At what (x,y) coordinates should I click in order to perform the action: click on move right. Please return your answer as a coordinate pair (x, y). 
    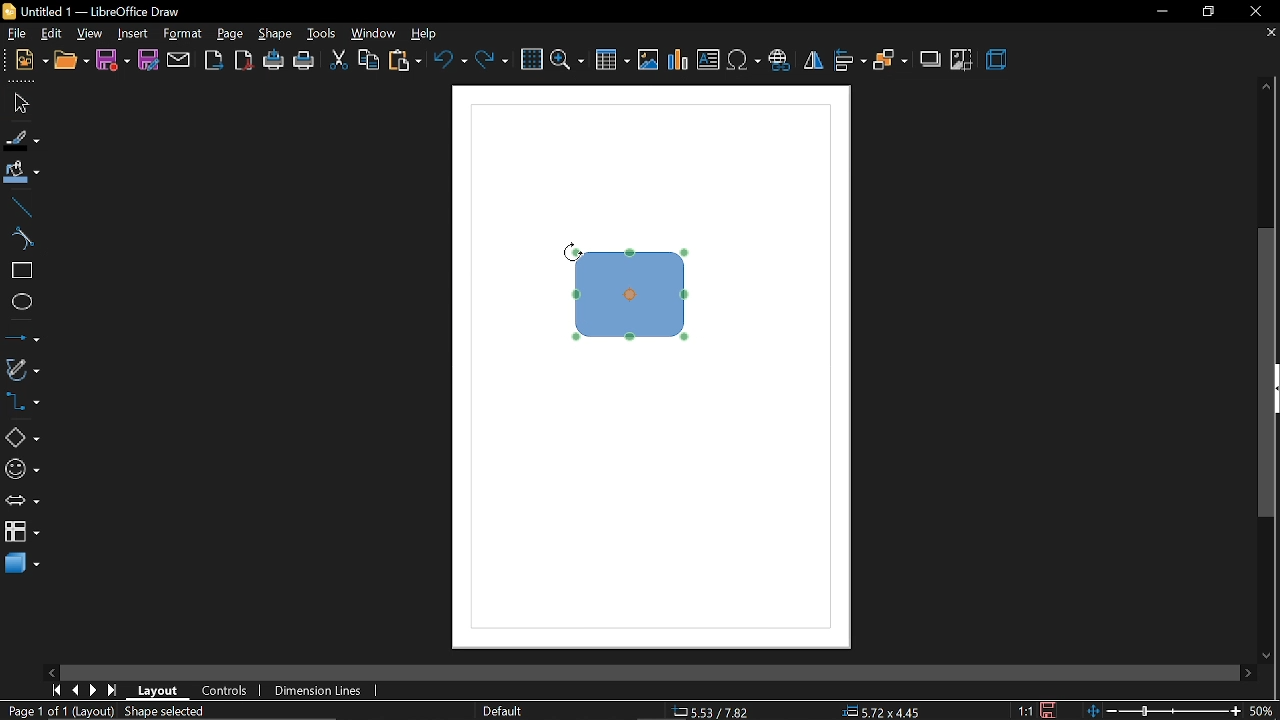
    Looking at the image, I should click on (1246, 673).